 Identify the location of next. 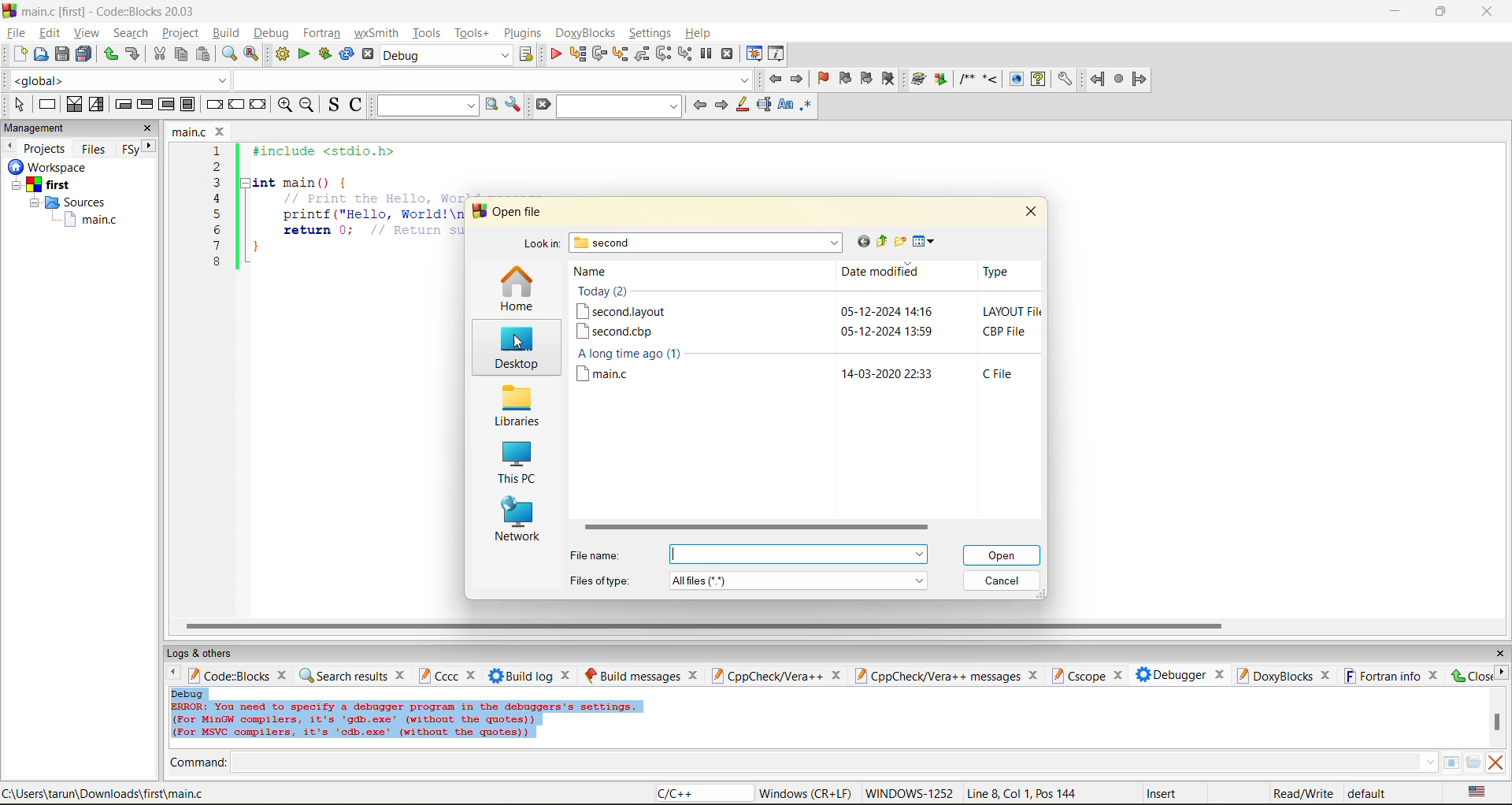
(721, 105).